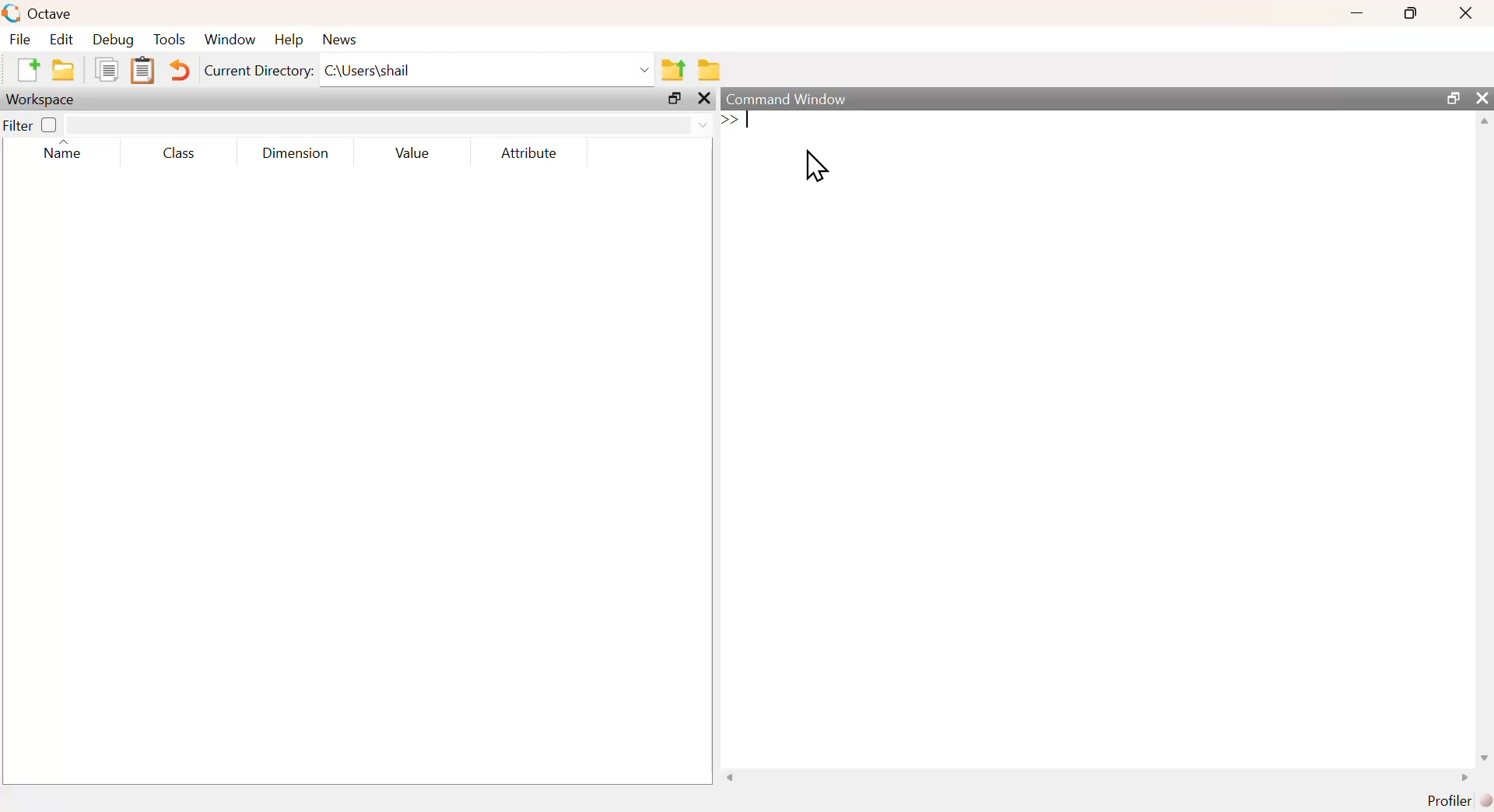 The width and height of the screenshot is (1494, 812). I want to click on open an existing file in editor, so click(63, 69).